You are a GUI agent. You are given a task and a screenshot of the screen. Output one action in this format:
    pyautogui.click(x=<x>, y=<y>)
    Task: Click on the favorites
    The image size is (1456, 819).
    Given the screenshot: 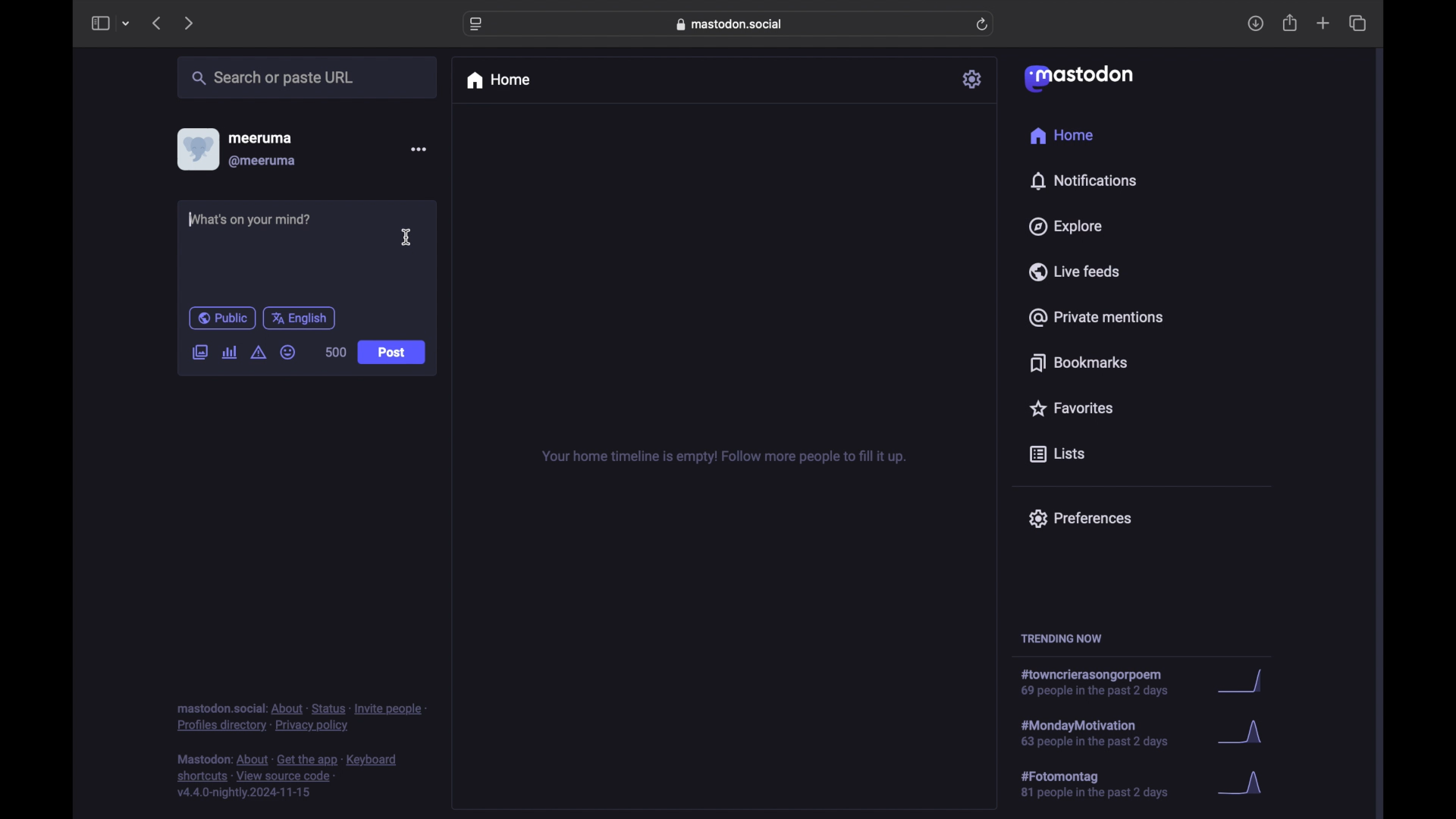 What is the action you would take?
    pyautogui.click(x=1070, y=408)
    